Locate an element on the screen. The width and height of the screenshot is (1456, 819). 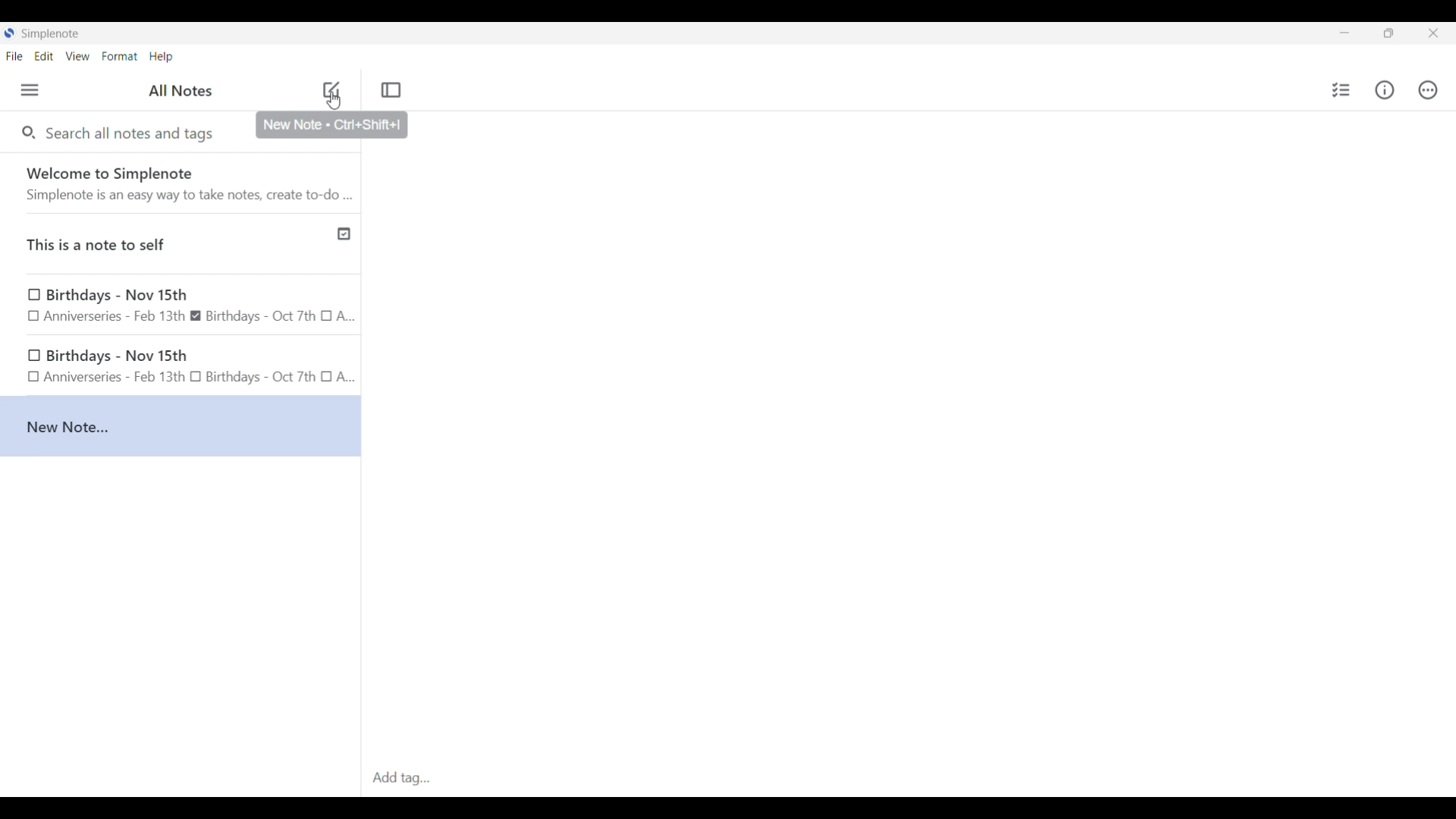
Description of selected icon is located at coordinates (332, 125).